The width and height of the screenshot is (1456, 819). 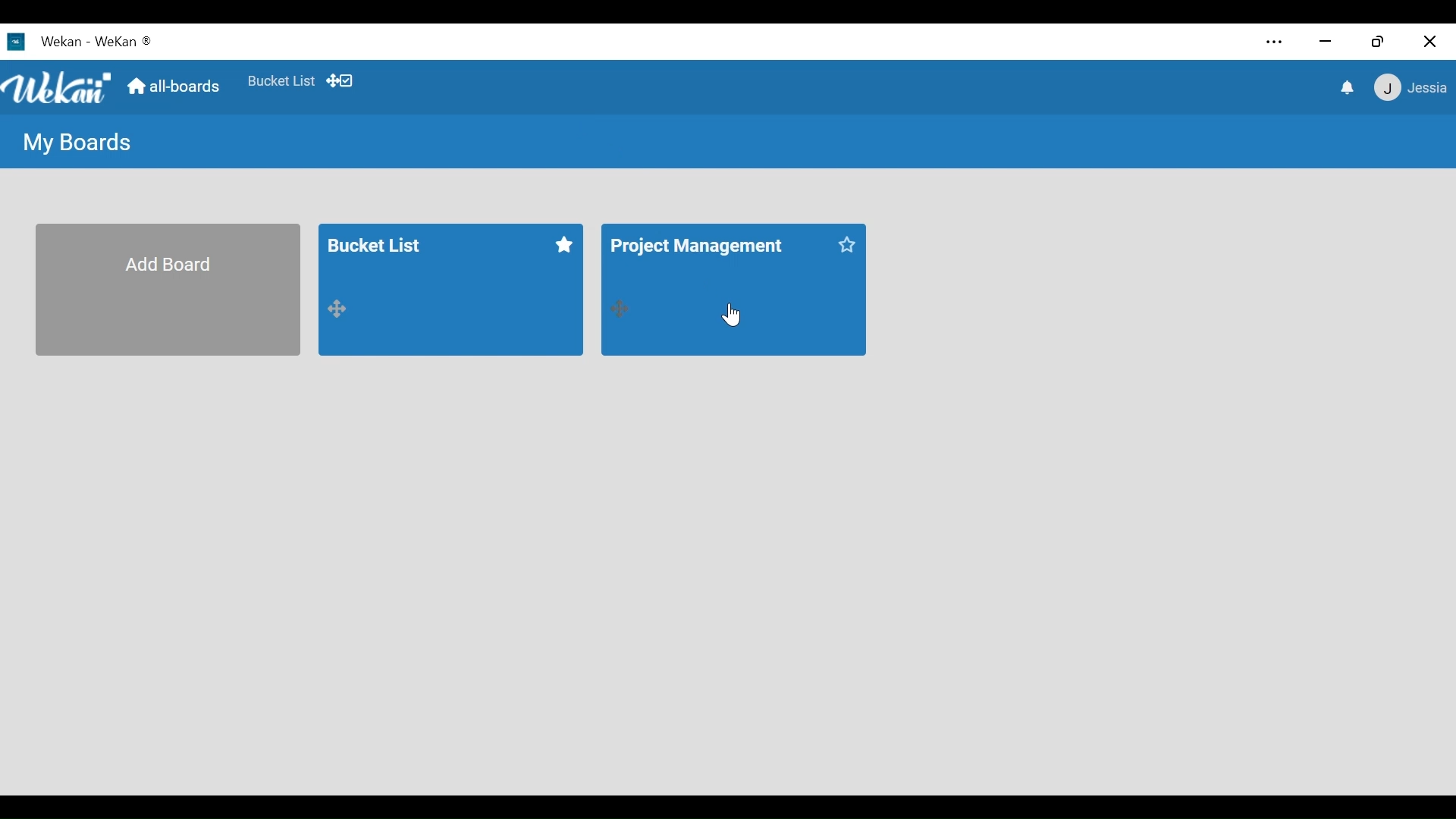 I want to click on restore, so click(x=1377, y=41).